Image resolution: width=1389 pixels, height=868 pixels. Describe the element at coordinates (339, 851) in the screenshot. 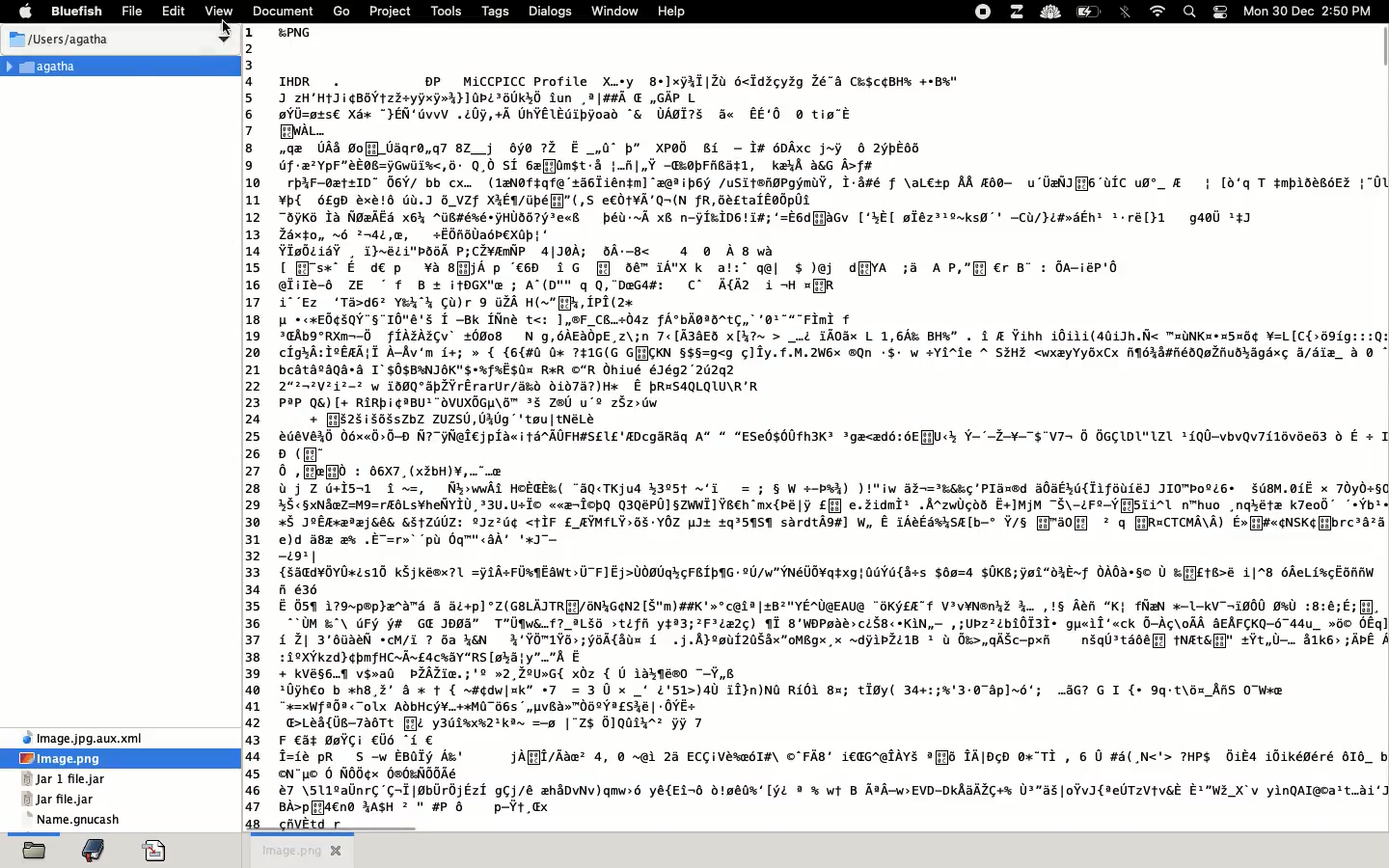

I see `close` at that location.